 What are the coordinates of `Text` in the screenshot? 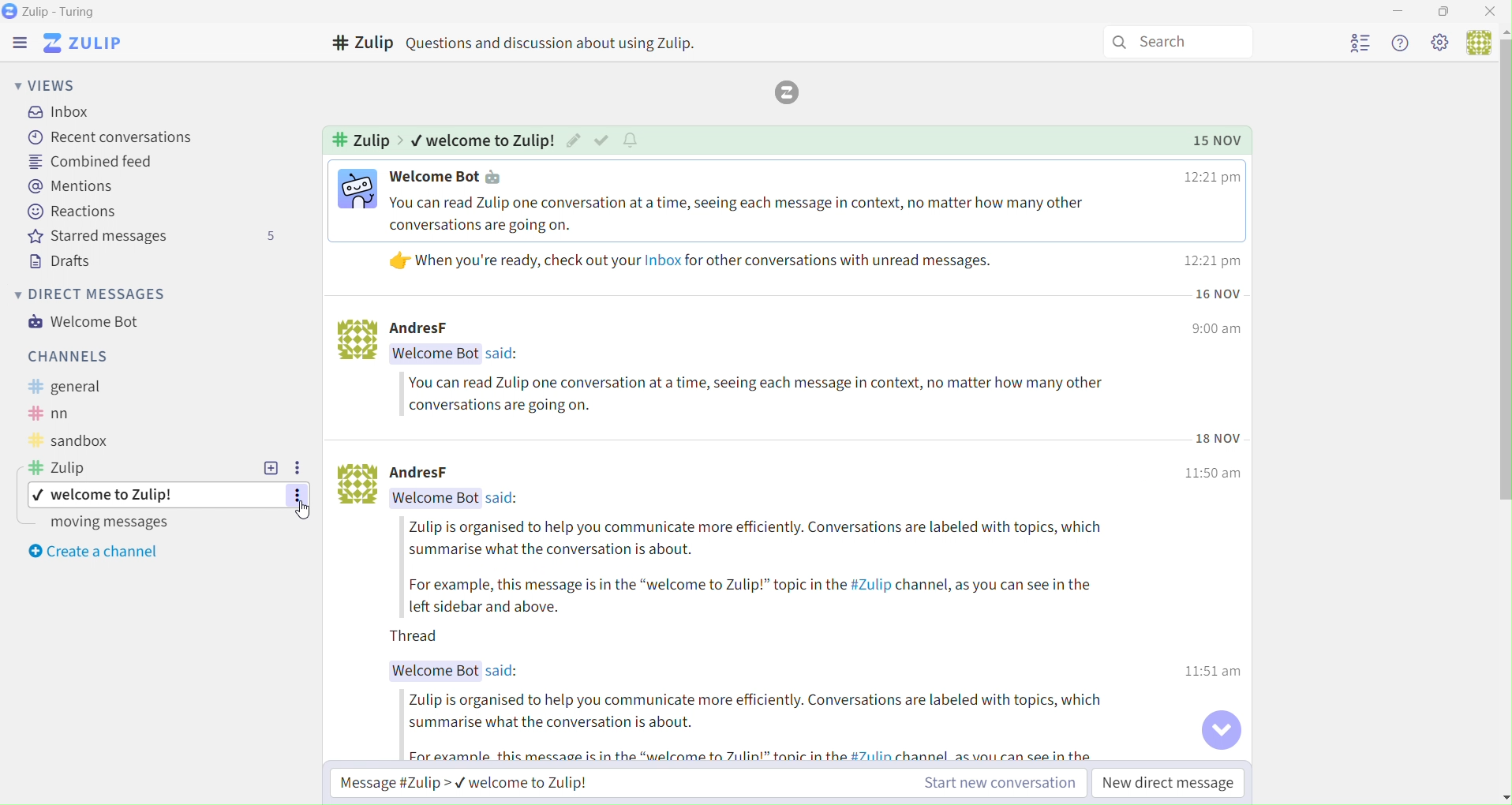 It's located at (436, 671).